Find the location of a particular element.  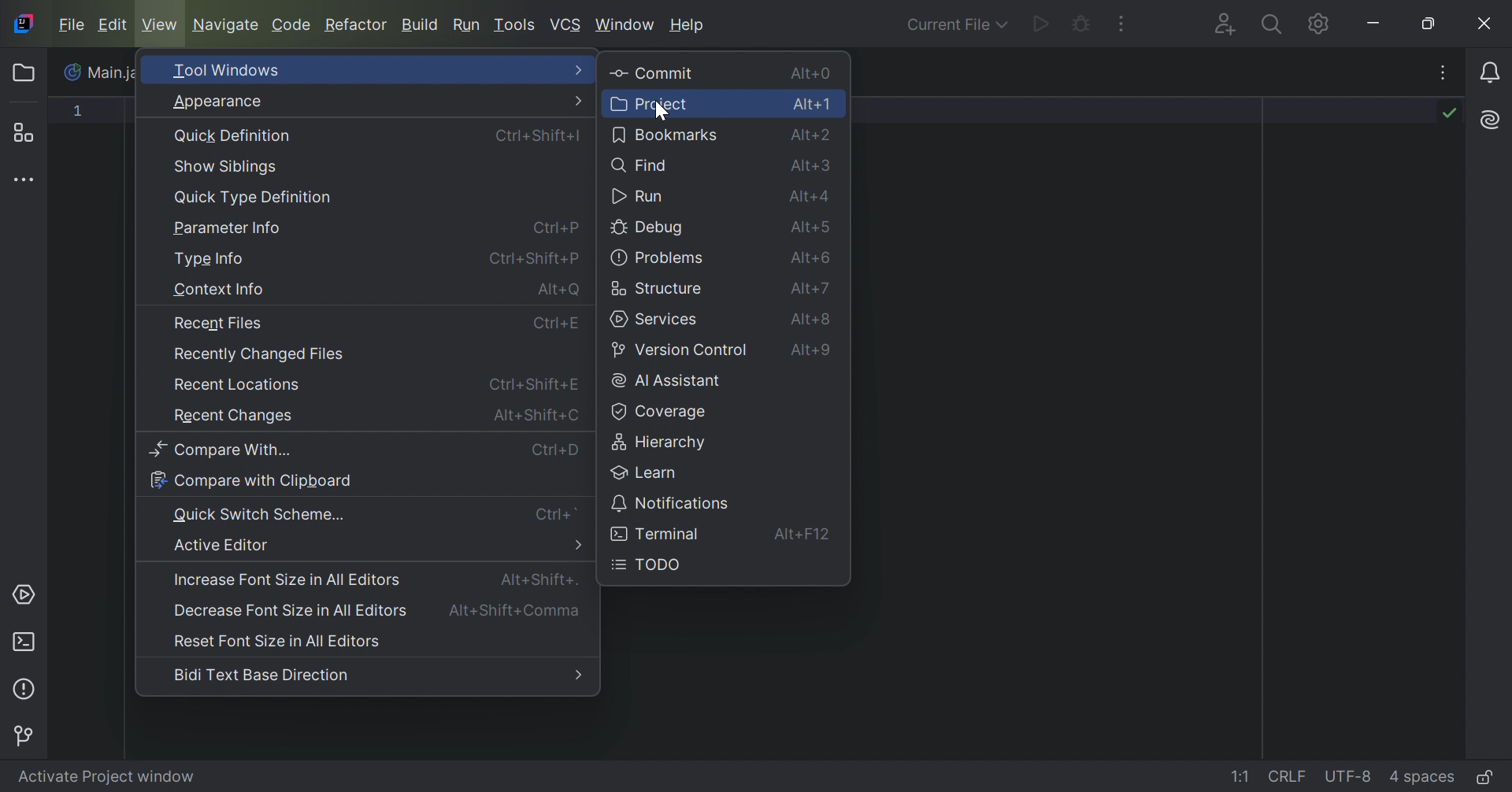

Terminal is located at coordinates (24, 639).